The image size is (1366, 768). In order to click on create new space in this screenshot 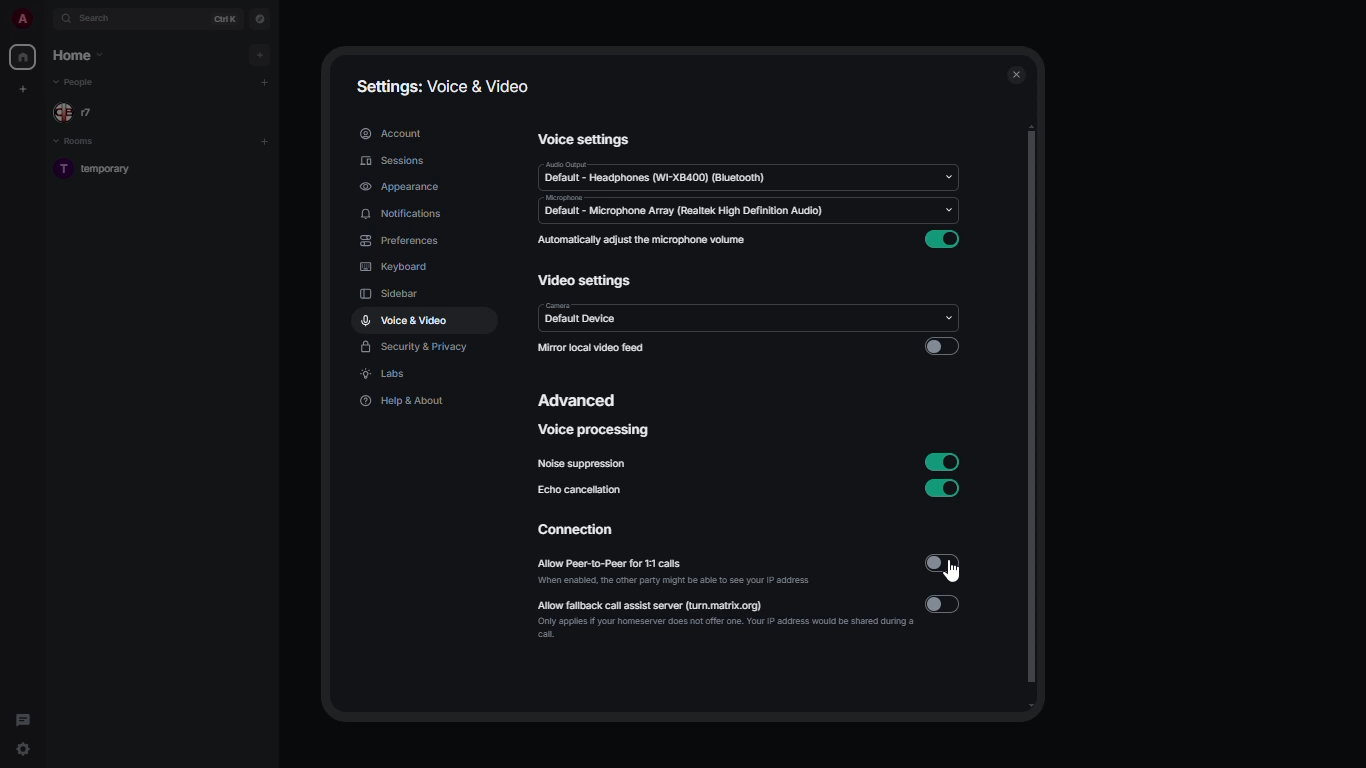, I will do `click(24, 88)`.